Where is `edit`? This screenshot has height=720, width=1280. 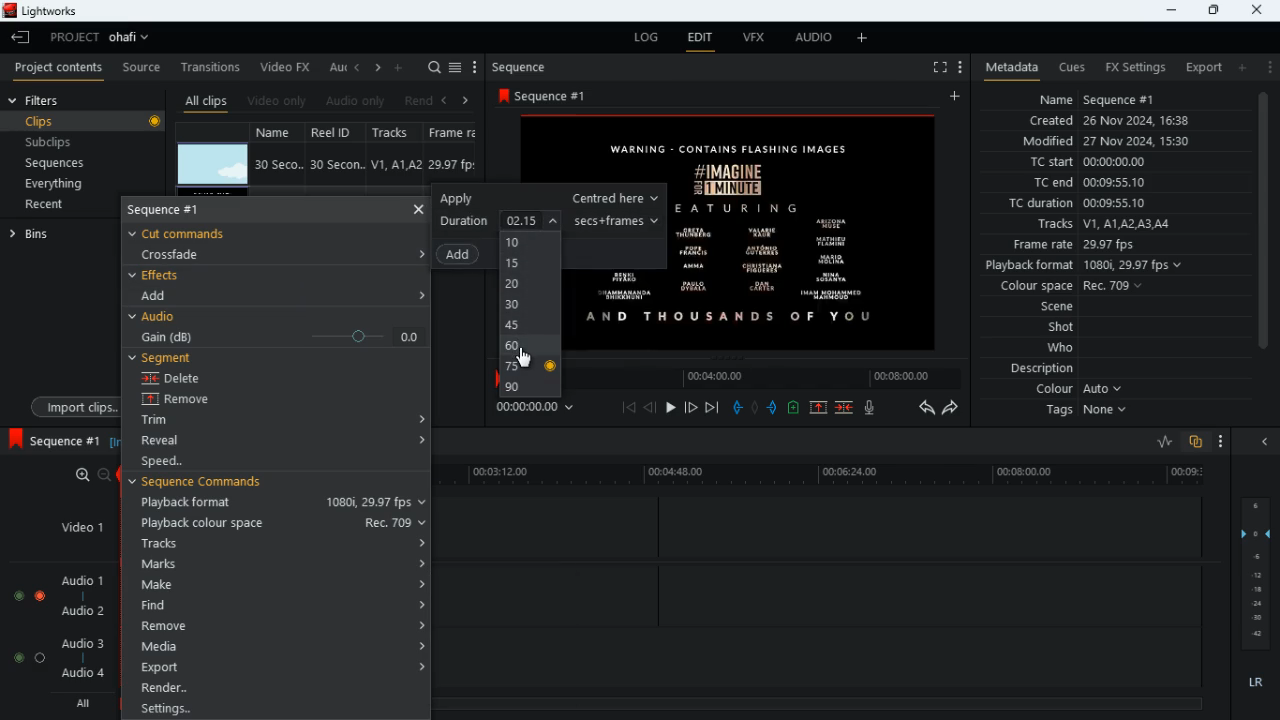 edit is located at coordinates (700, 40).